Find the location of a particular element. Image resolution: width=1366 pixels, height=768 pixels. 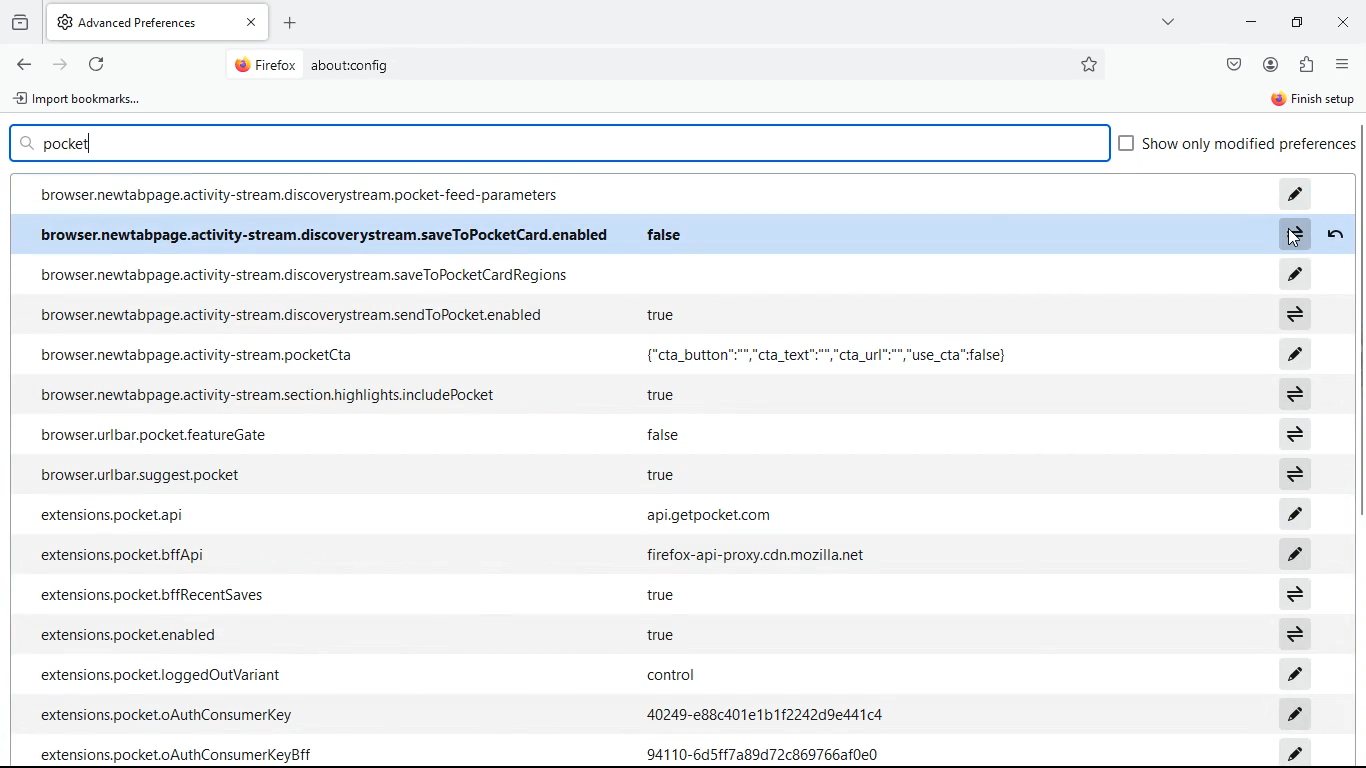

edit is located at coordinates (1295, 190).